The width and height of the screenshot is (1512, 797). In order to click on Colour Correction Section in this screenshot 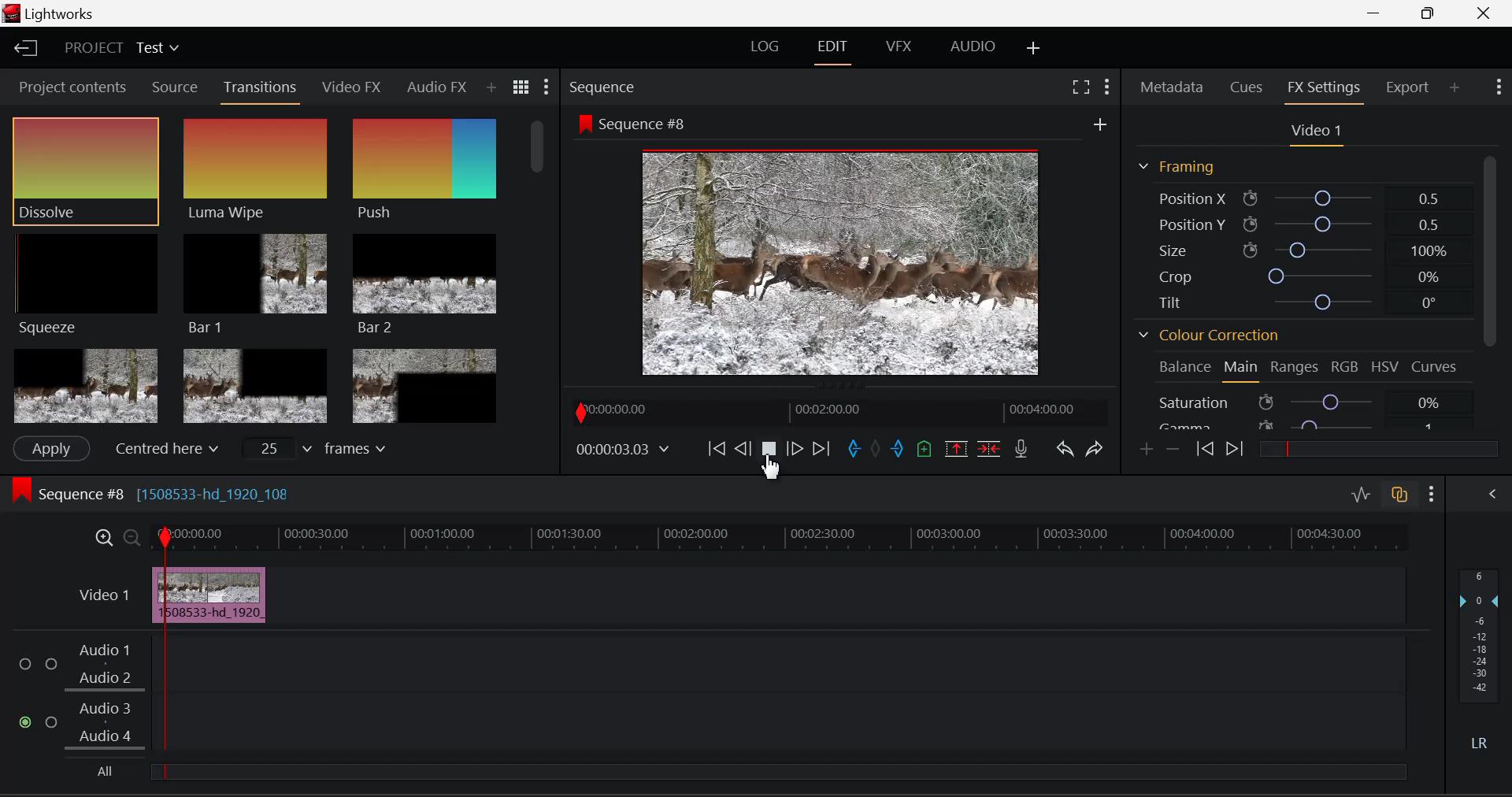, I will do `click(1210, 336)`.